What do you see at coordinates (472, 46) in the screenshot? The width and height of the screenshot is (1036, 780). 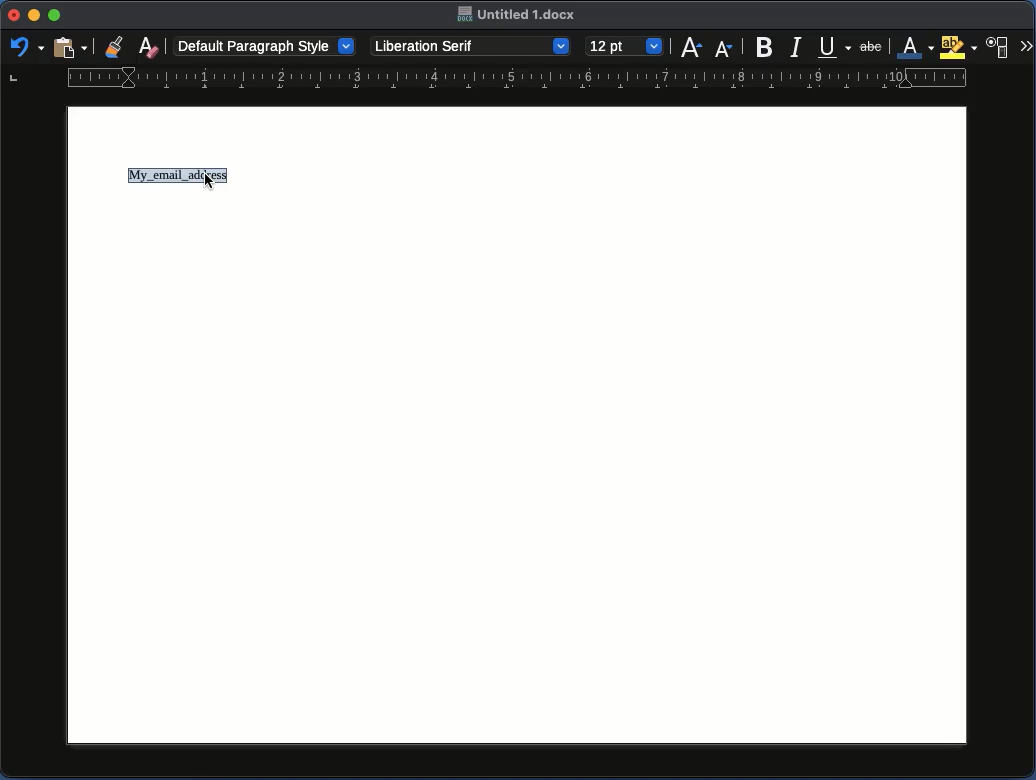 I see `Liberation Serif` at bounding box center [472, 46].